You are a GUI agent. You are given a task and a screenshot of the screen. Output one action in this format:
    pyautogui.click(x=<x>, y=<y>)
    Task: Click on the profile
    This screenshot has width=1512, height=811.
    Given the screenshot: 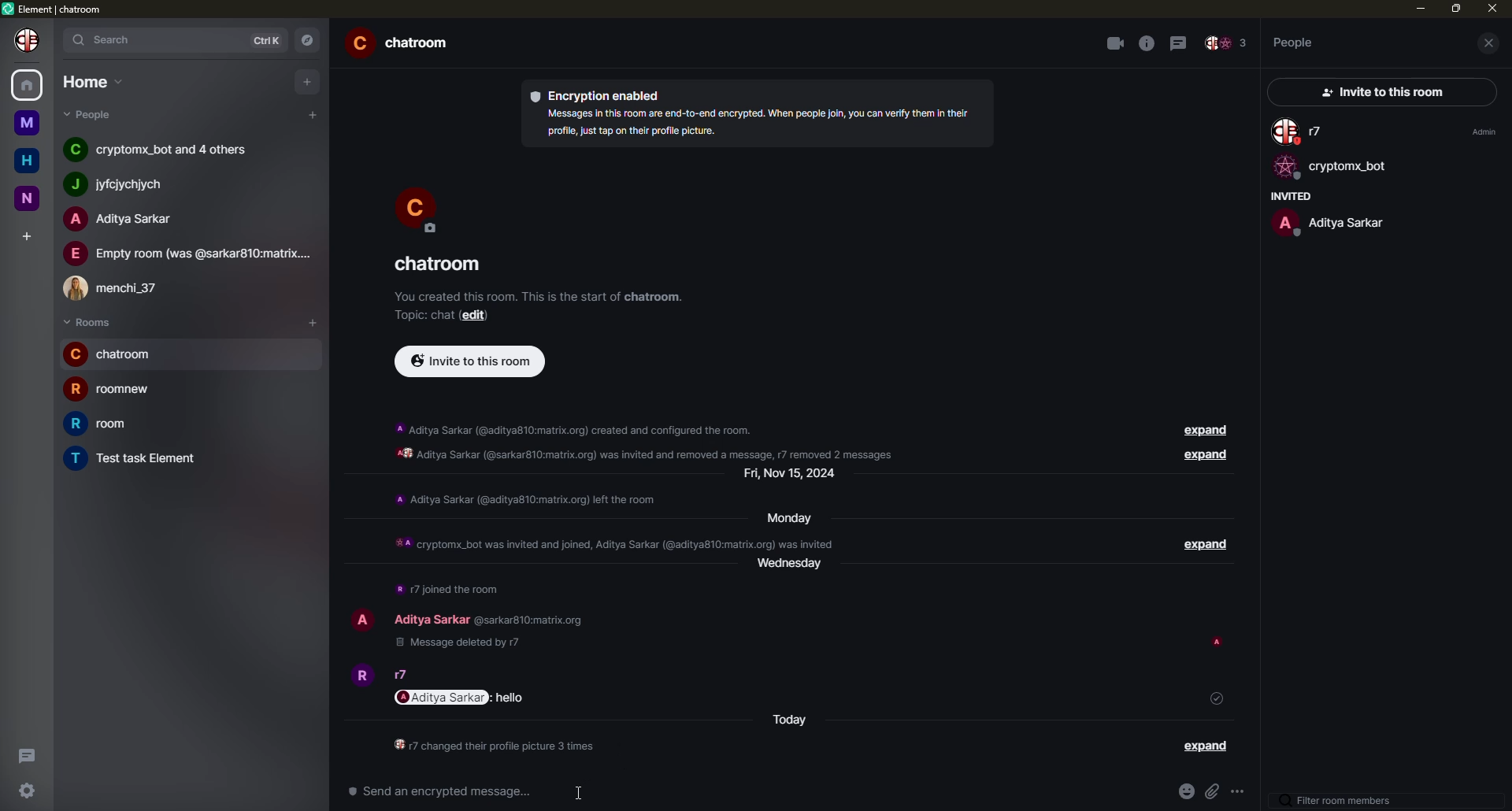 What is the action you would take?
    pyautogui.click(x=359, y=673)
    